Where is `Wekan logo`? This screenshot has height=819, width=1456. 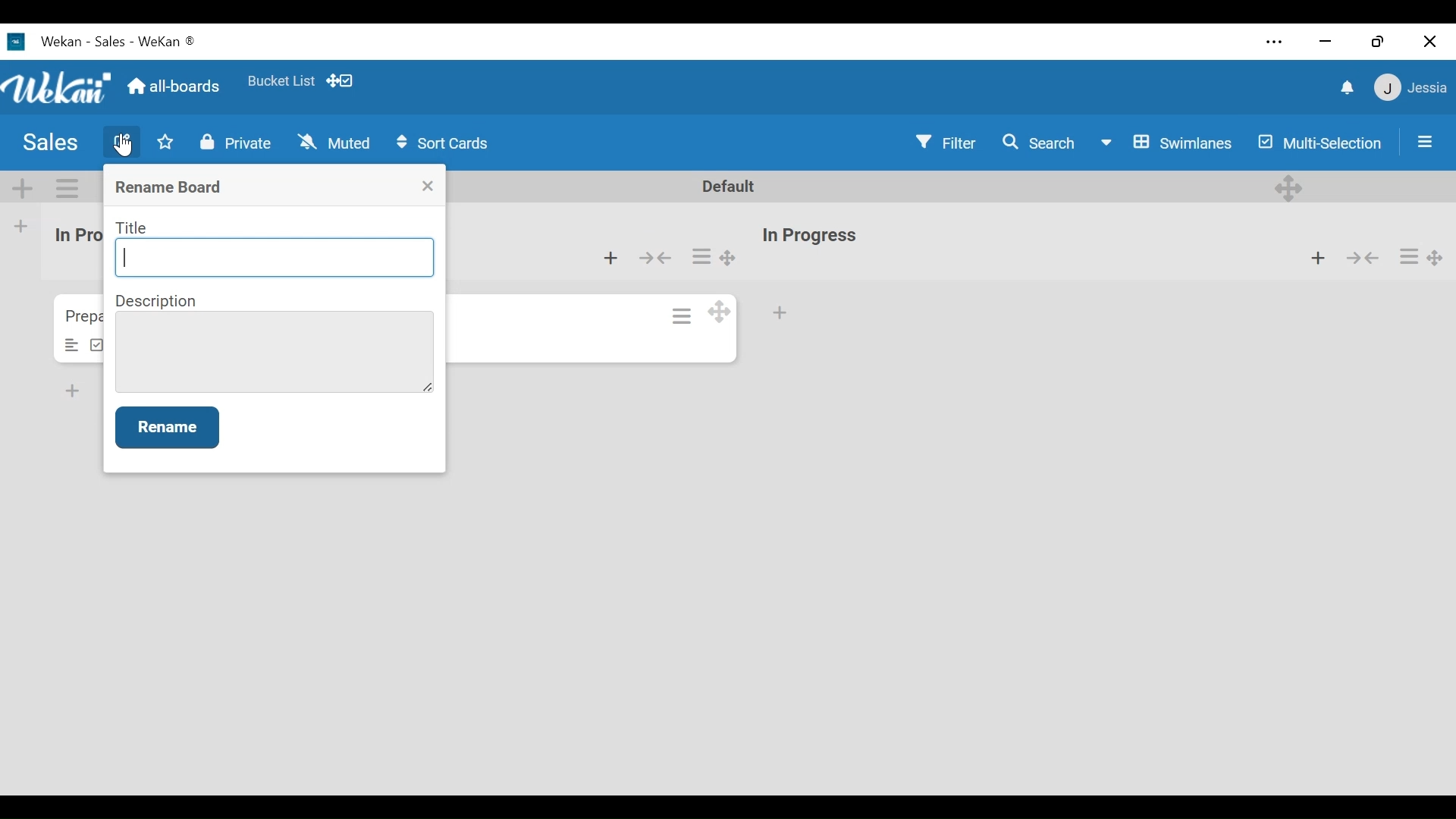 Wekan logo is located at coordinates (56, 88).